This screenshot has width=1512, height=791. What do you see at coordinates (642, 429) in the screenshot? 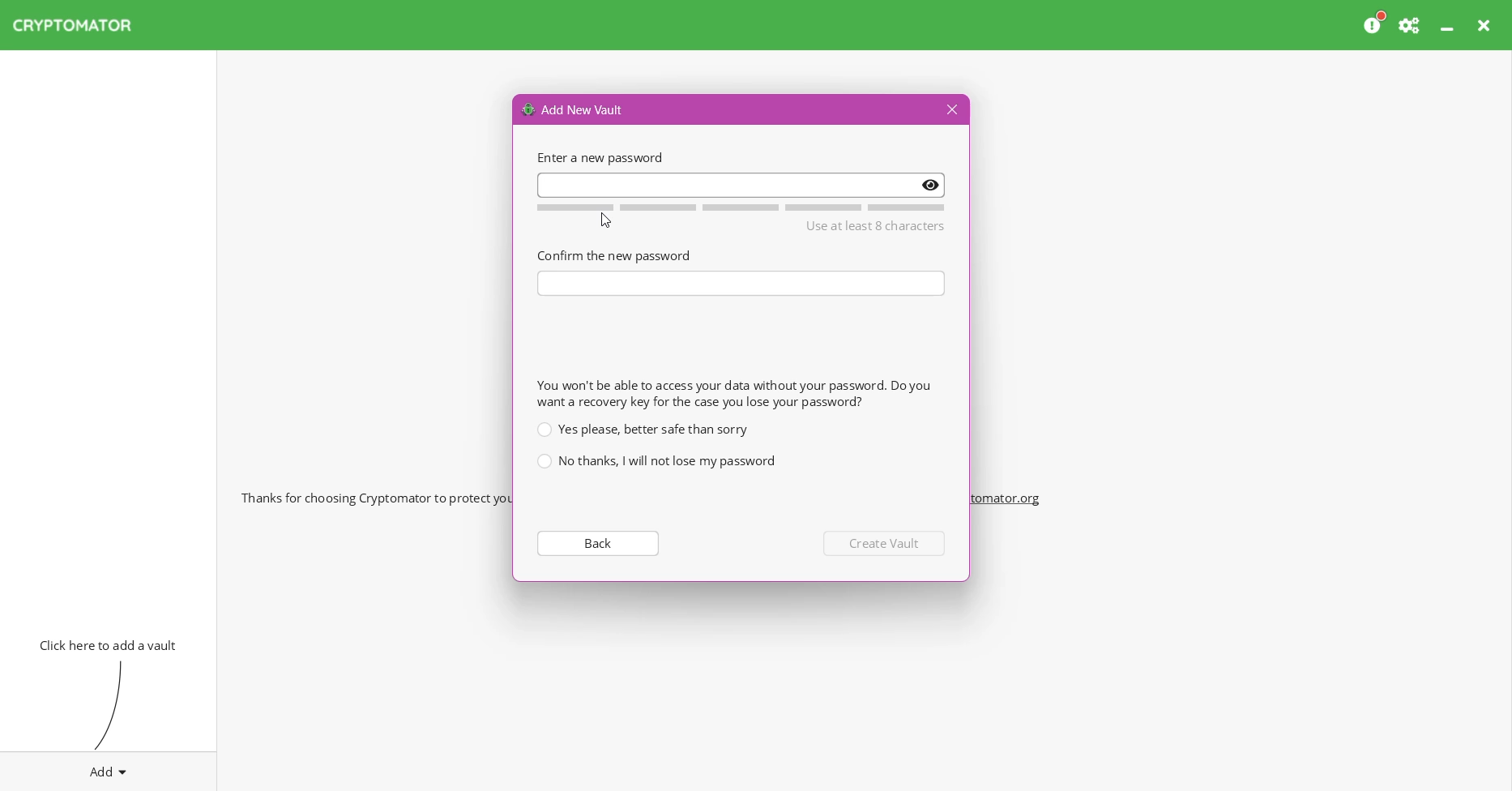
I see `Yes please, better safe than sorry` at bounding box center [642, 429].